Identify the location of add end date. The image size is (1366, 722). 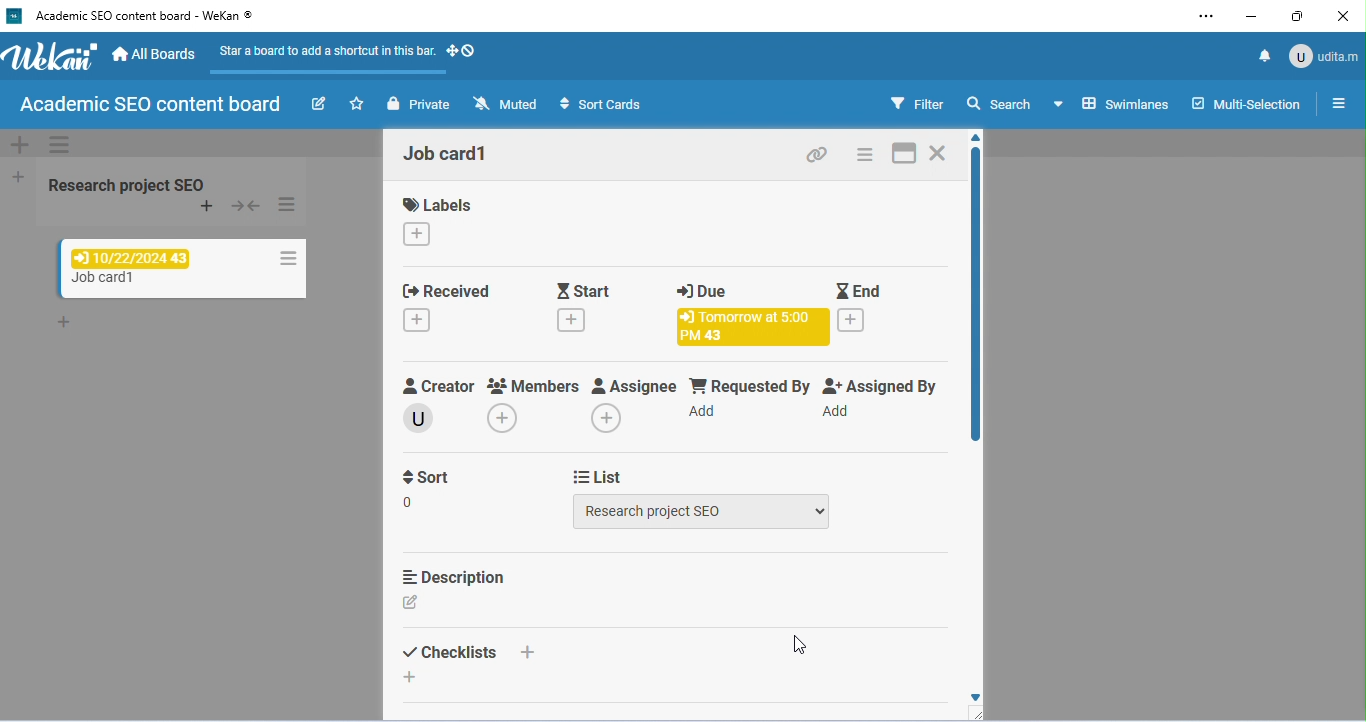
(851, 320).